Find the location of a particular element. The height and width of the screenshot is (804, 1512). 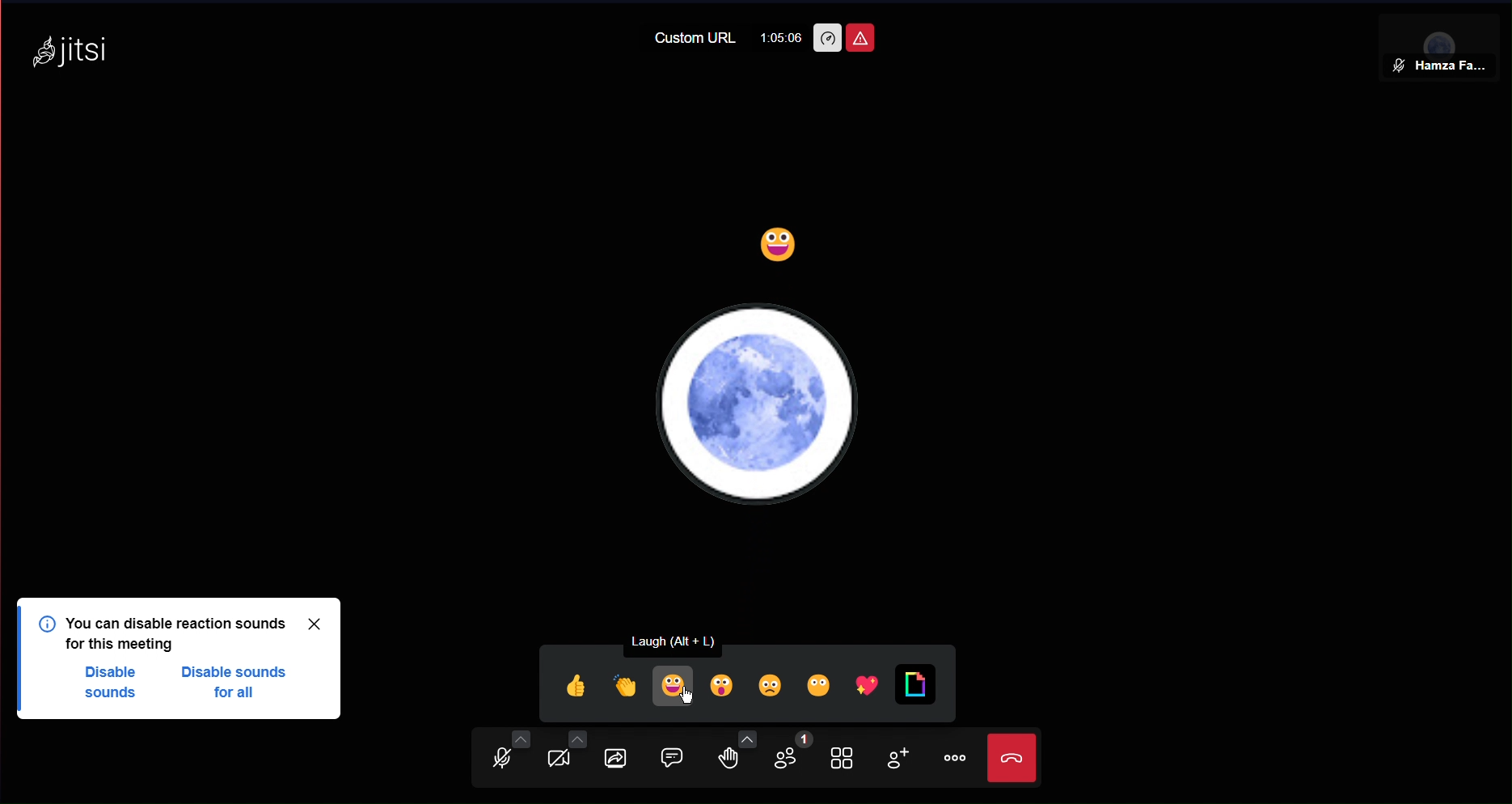

Participants is located at coordinates (797, 757).